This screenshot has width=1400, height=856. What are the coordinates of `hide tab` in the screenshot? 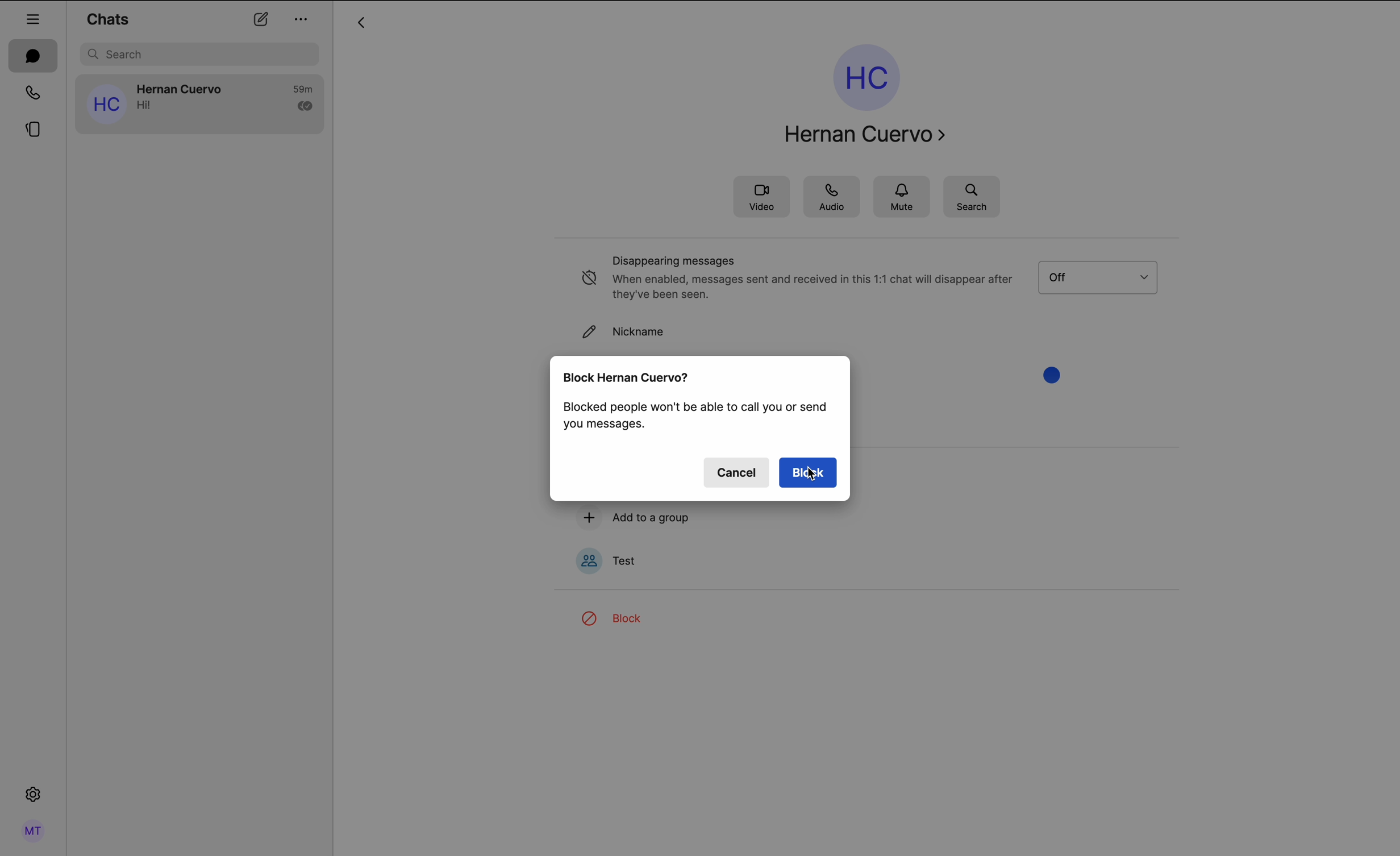 It's located at (34, 19).